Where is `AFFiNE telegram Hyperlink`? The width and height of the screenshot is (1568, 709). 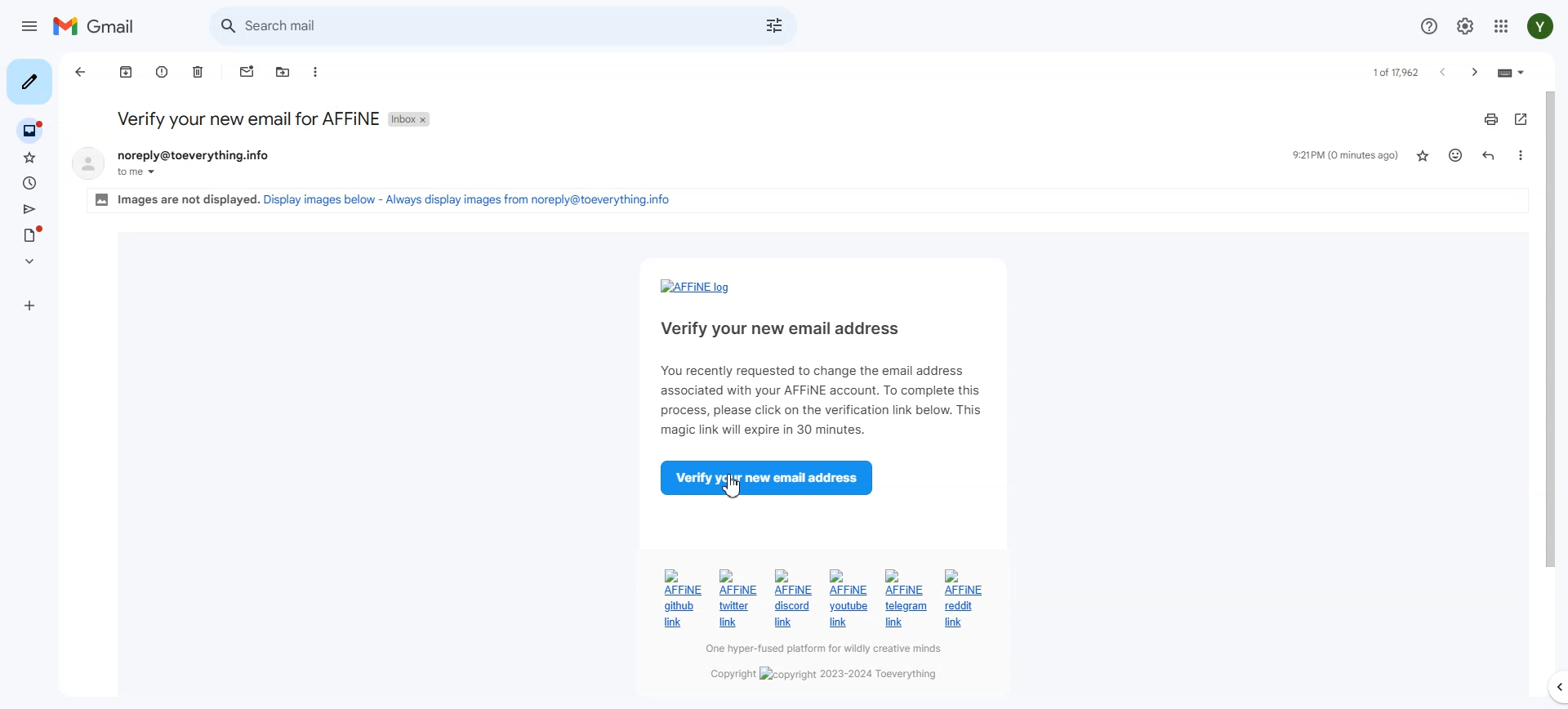 AFFiNE telegram Hyperlink is located at coordinates (906, 597).